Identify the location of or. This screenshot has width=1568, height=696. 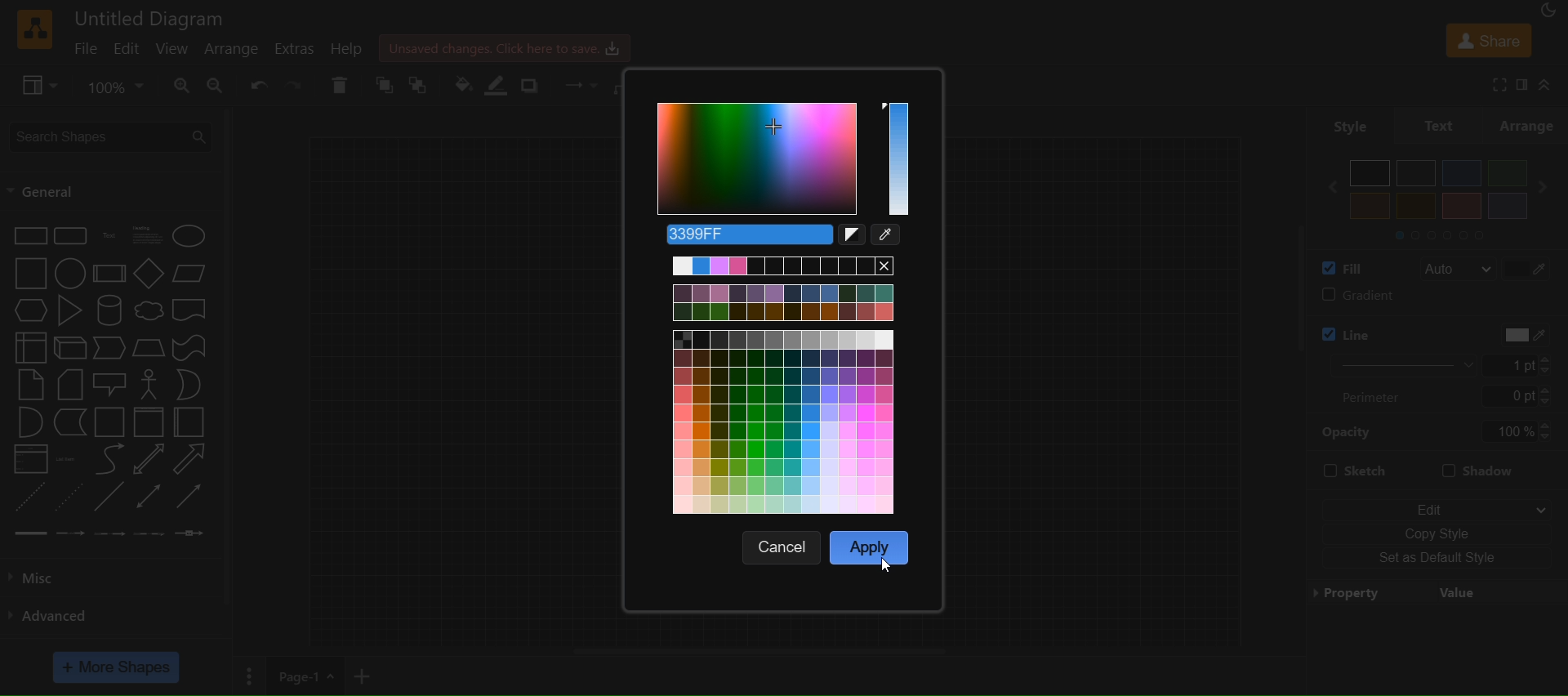
(189, 384).